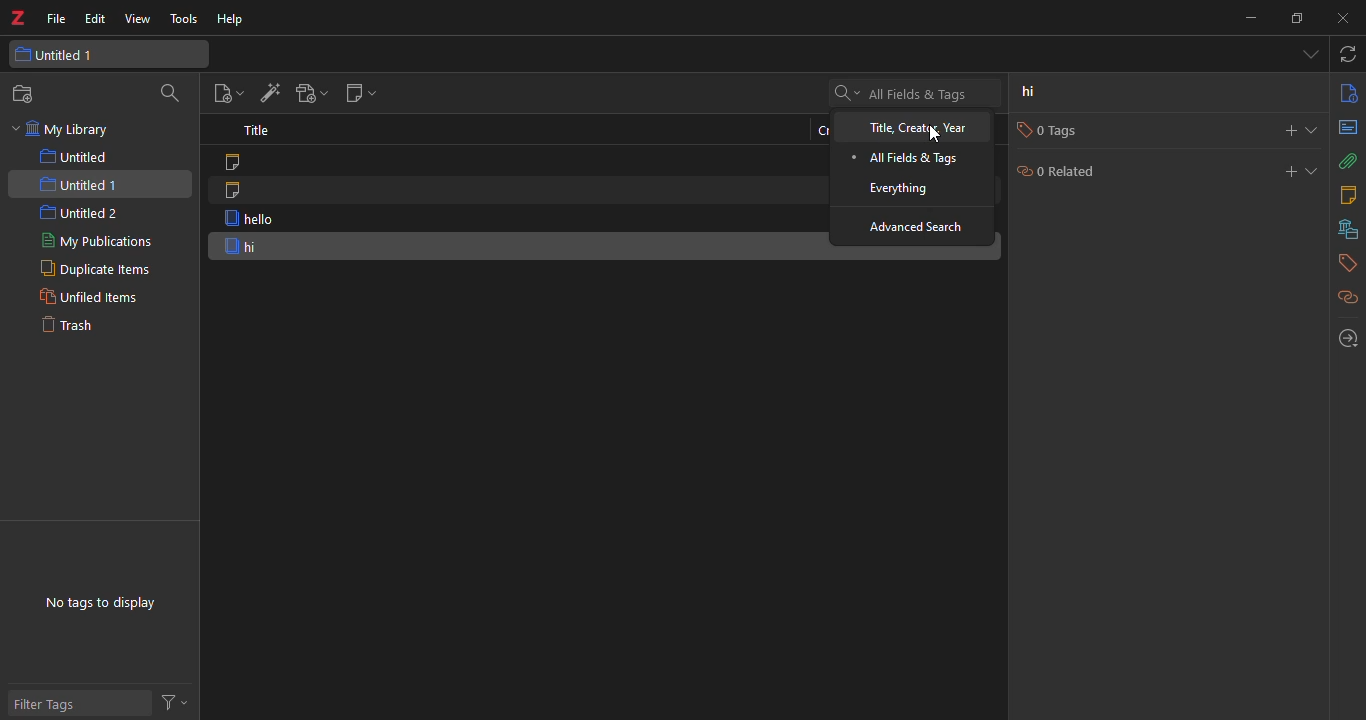  What do you see at coordinates (63, 130) in the screenshot?
I see `my library` at bounding box center [63, 130].